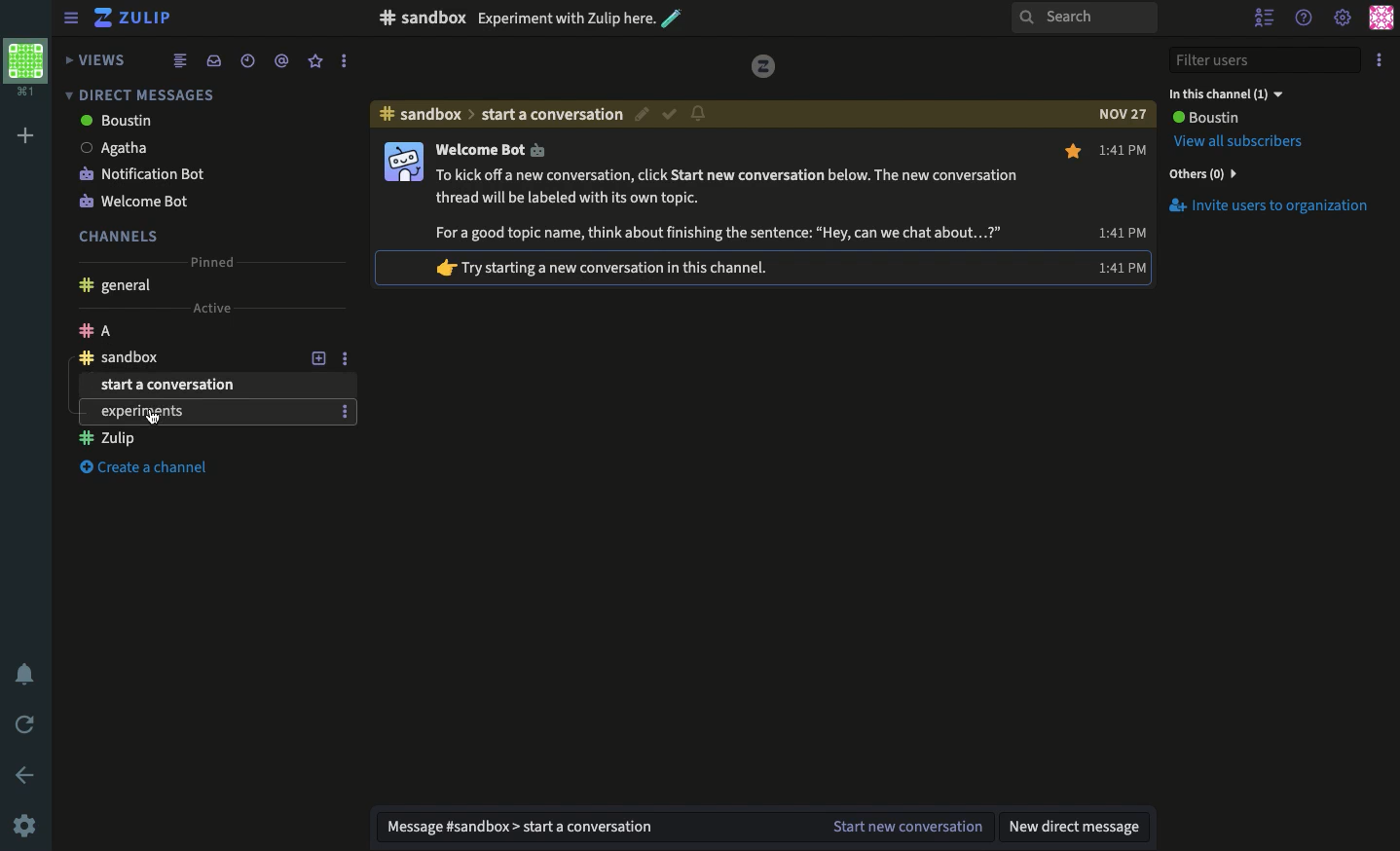 This screenshot has height=851, width=1400. What do you see at coordinates (422, 18) in the screenshot?
I see `# sandbox` at bounding box center [422, 18].